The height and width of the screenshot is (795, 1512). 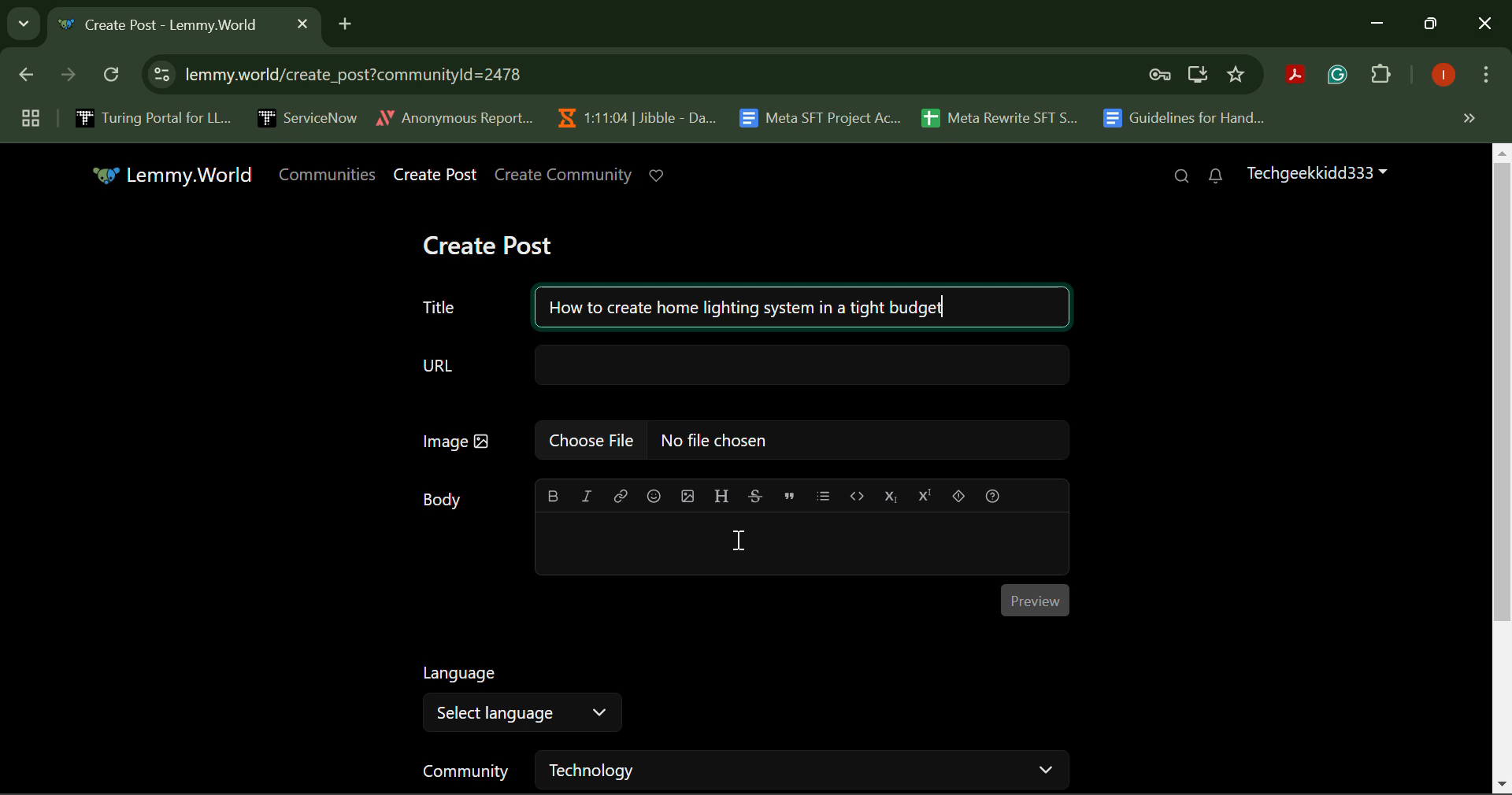 I want to click on Meta SFT Project, so click(x=822, y=116).